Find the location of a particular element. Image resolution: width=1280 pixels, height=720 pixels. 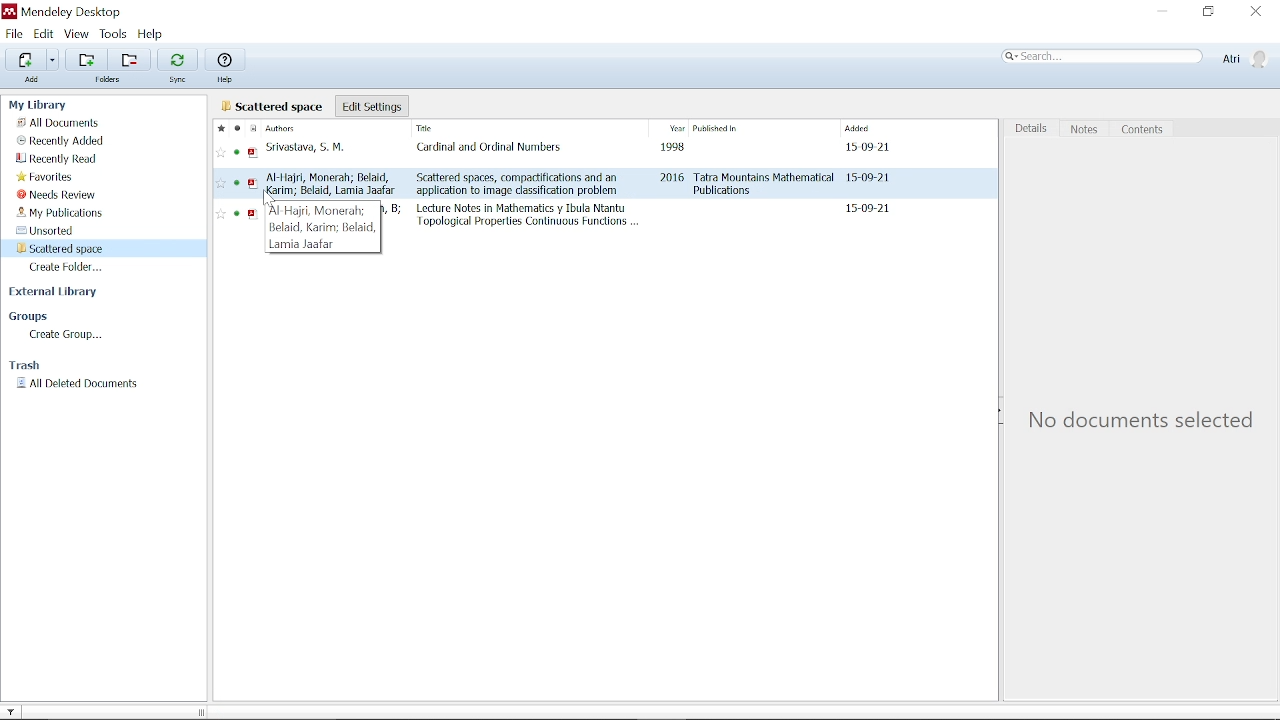

Close is located at coordinates (1257, 12).